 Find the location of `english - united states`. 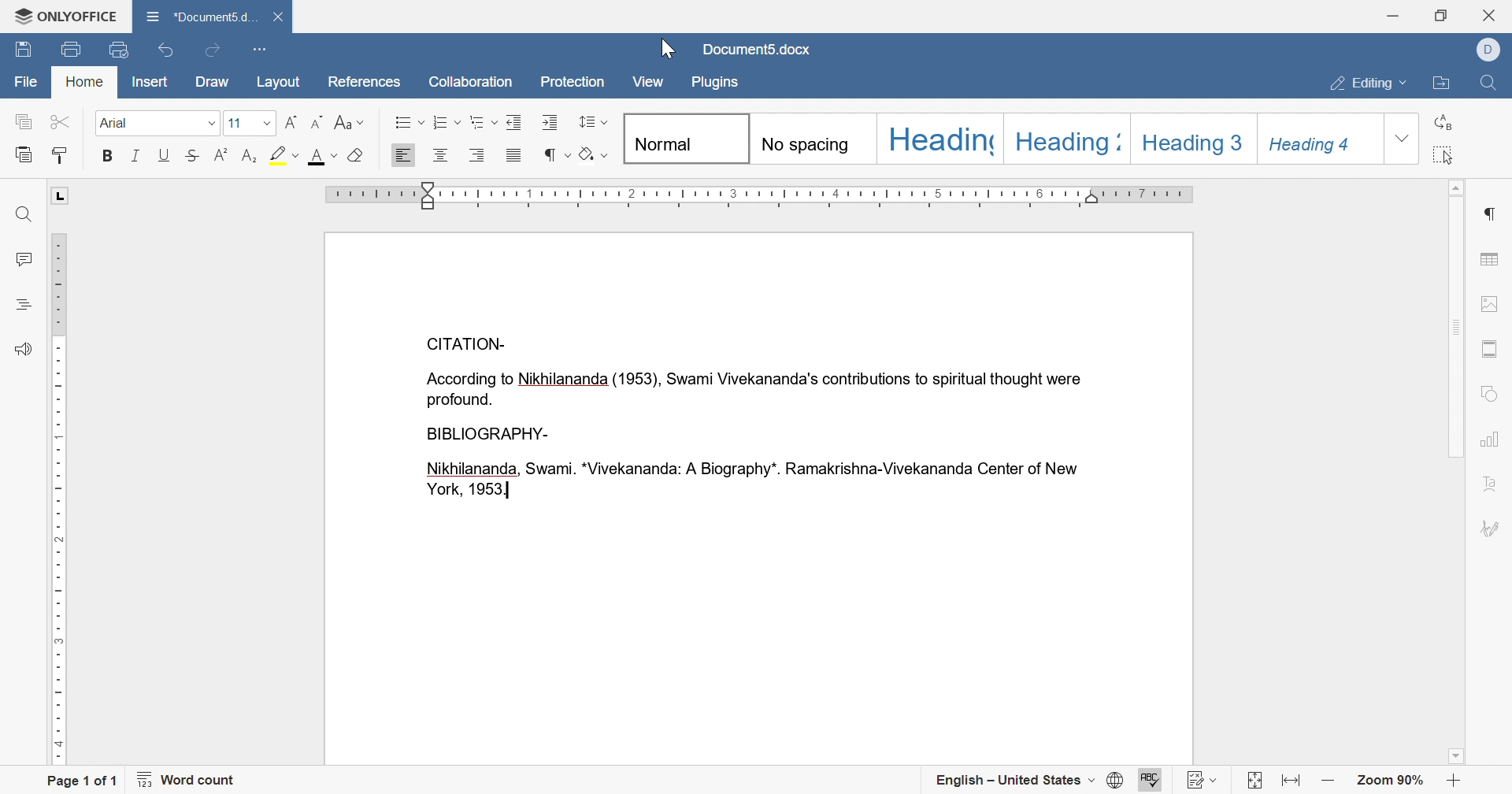

english - united states is located at coordinates (1011, 781).